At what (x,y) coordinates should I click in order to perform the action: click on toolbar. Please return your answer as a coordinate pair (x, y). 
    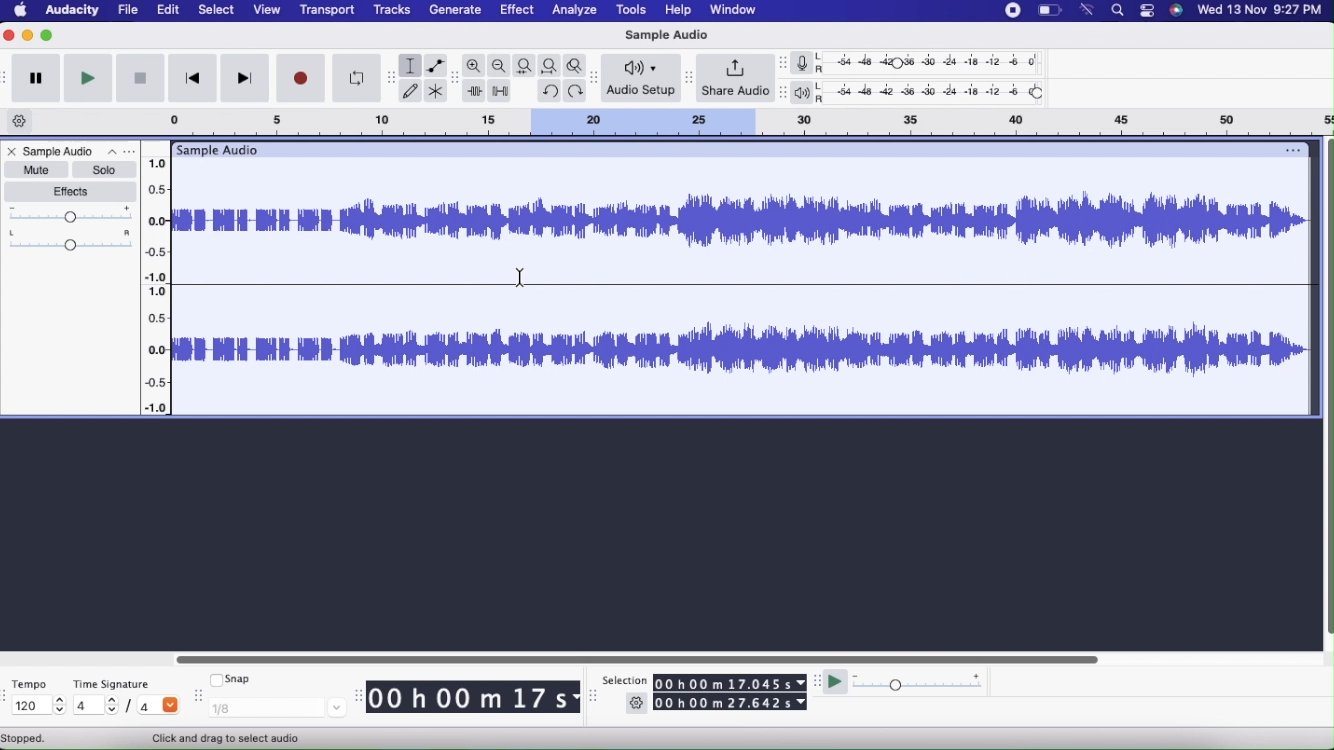
    Looking at the image, I should click on (391, 78).